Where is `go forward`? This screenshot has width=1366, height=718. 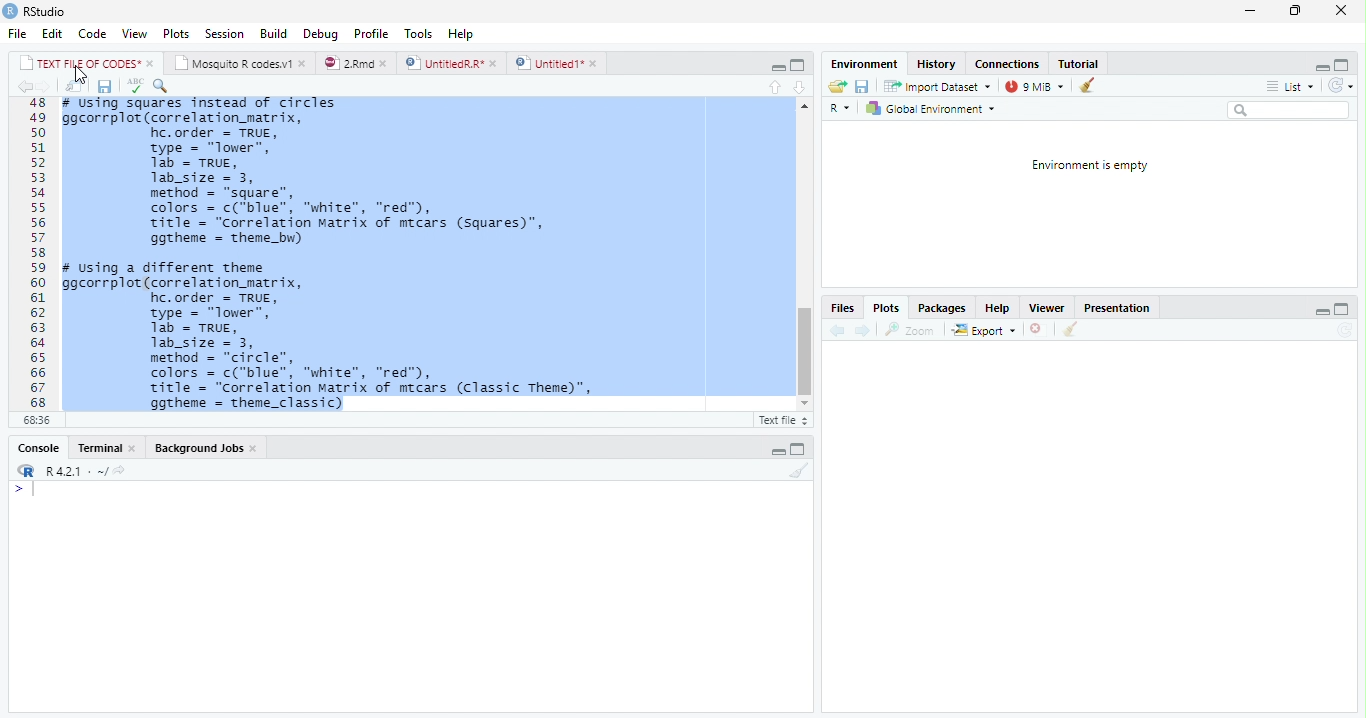 go forward is located at coordinates (863, 332).